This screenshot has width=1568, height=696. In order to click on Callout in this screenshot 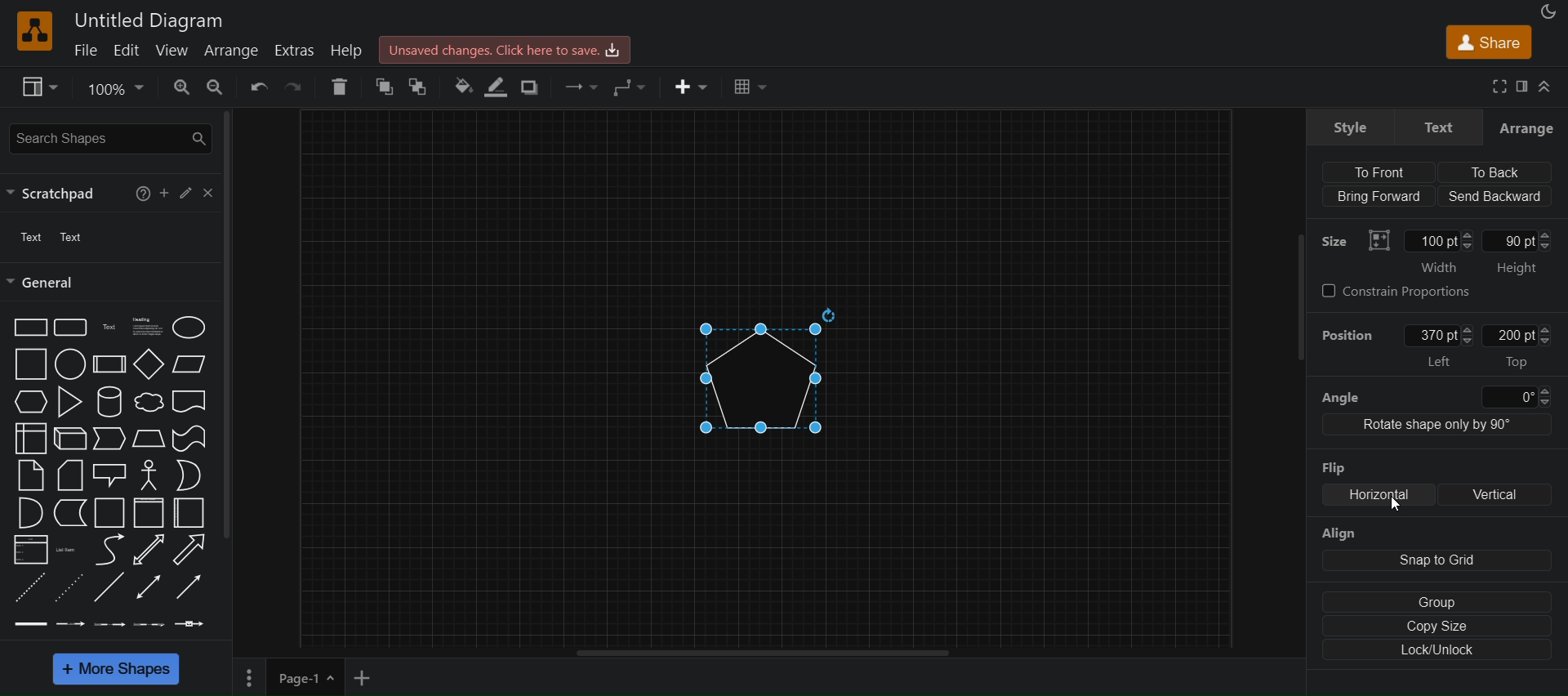, I will do `click(109, 476)`.